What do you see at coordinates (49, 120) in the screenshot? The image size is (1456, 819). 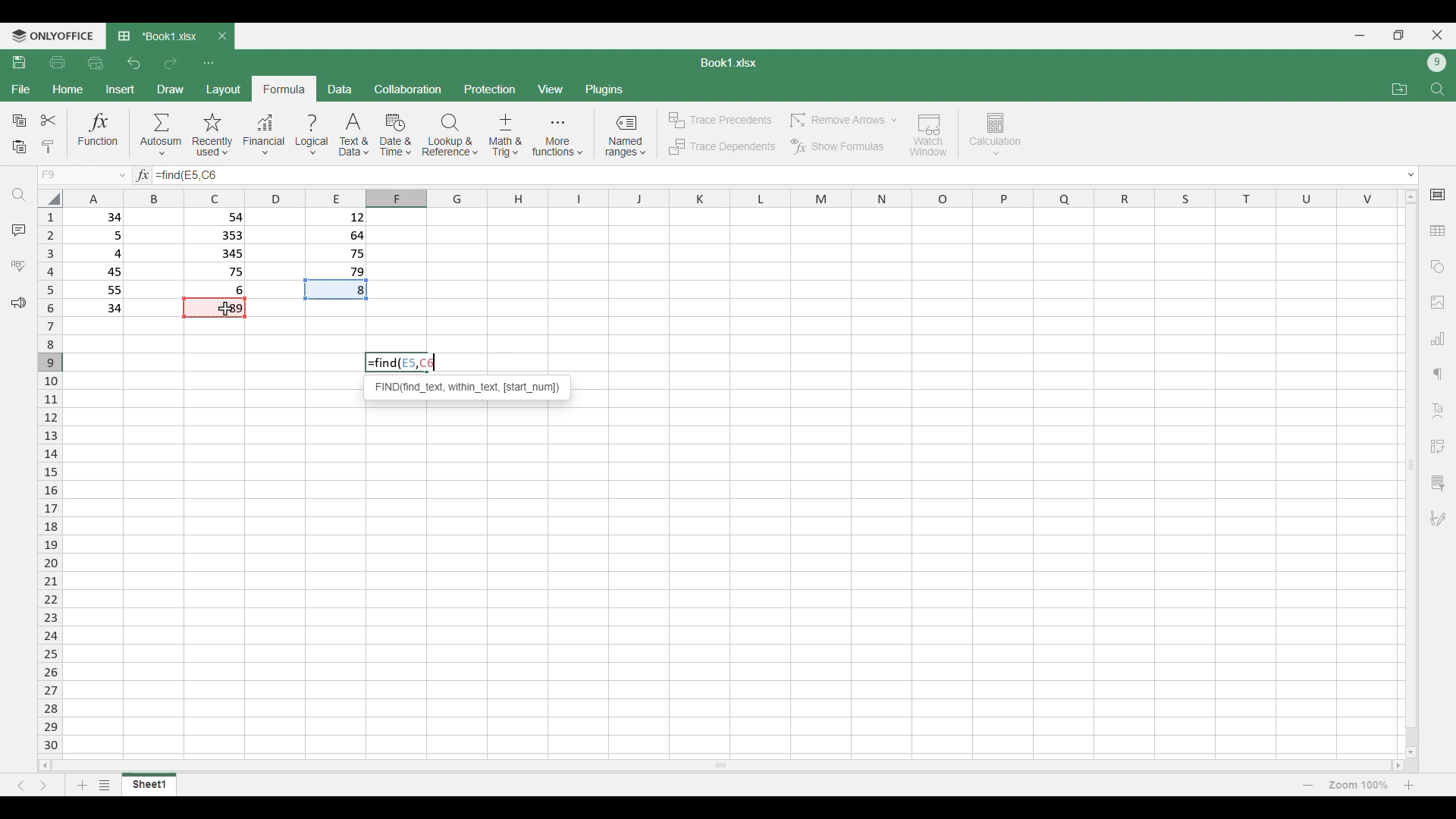 I see `Cut` at bounding box center [49, 120].